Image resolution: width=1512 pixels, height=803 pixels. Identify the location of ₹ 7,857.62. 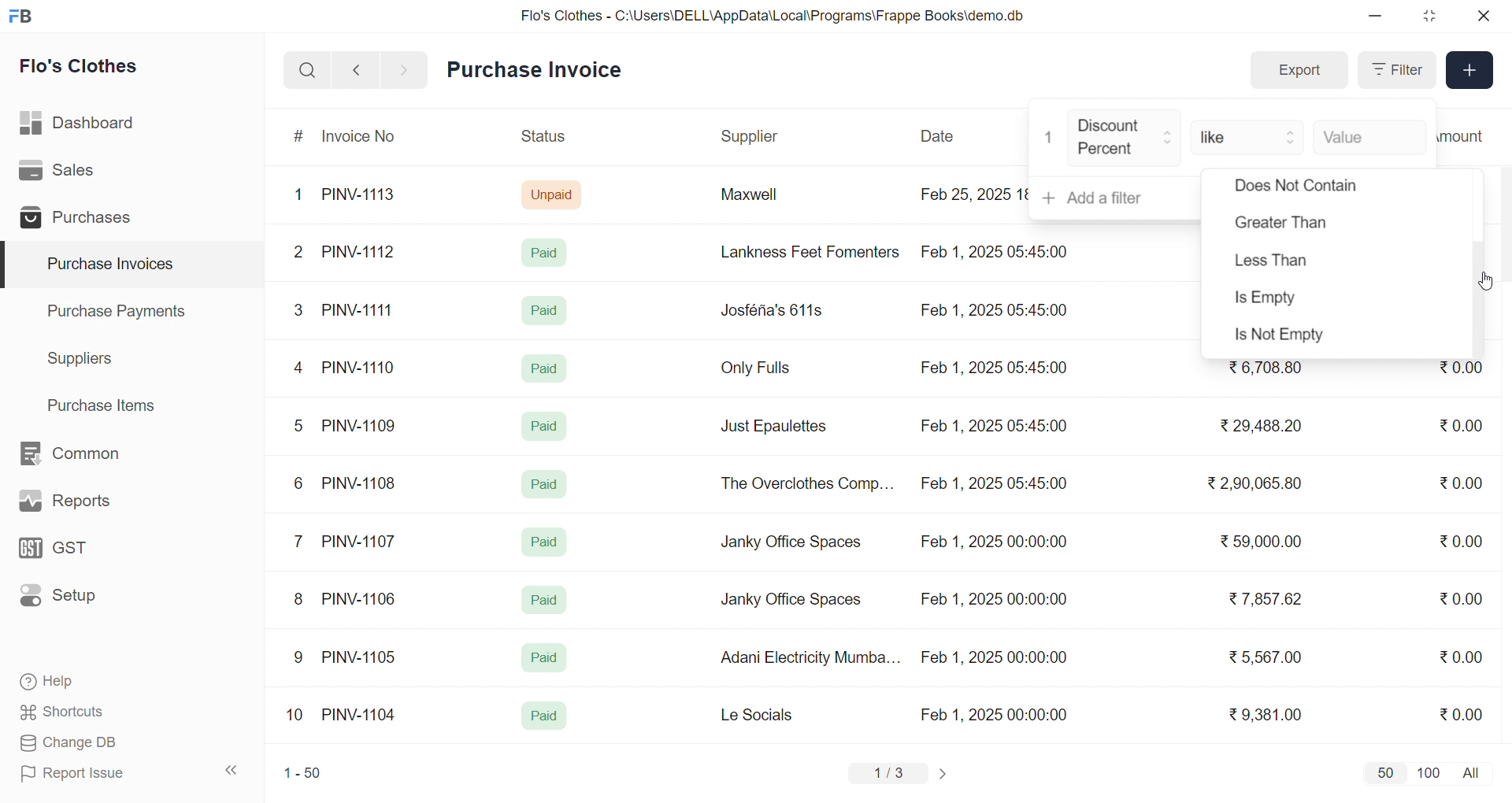
(1267, 599).